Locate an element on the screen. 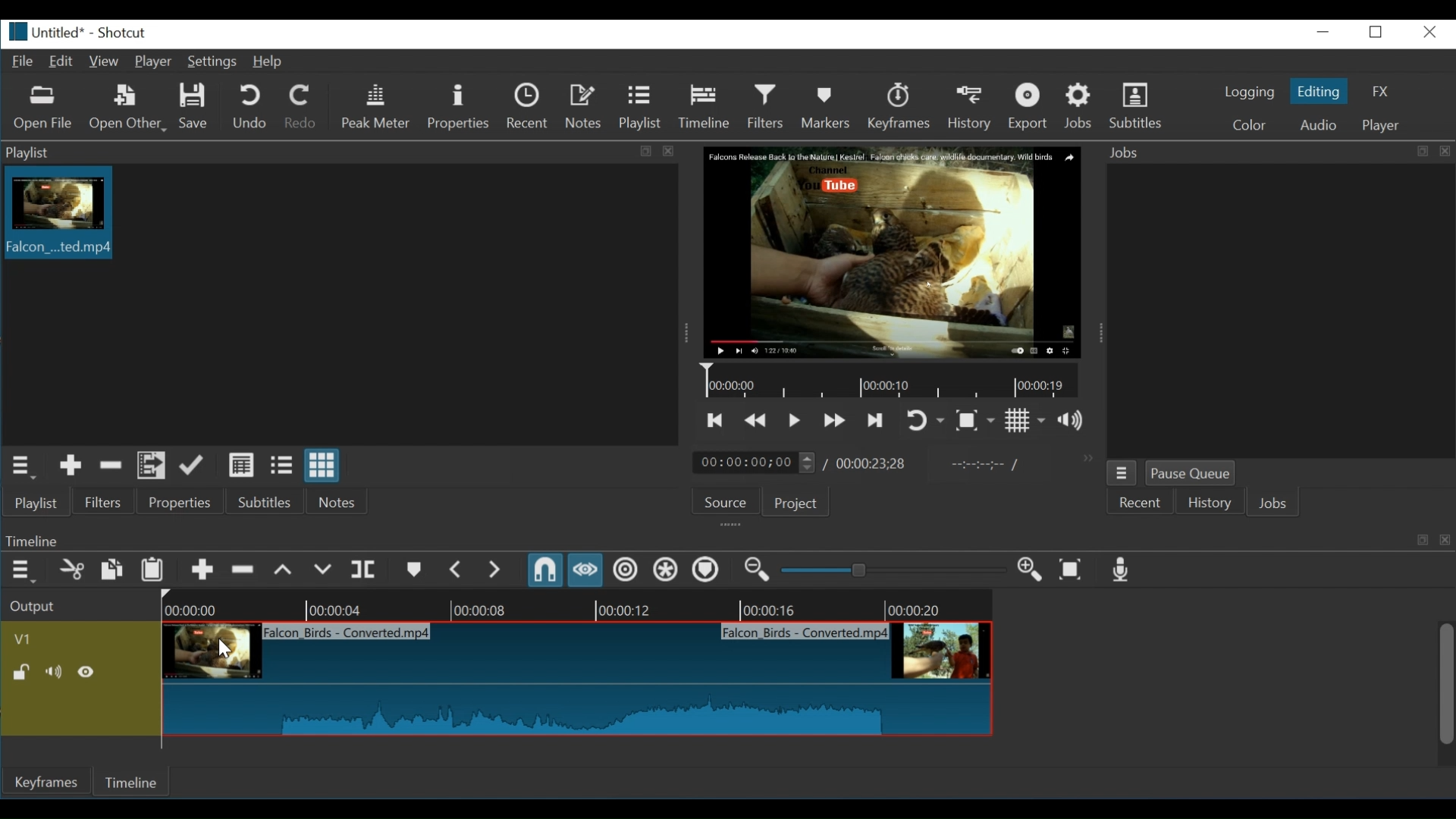 This screenshot has height=819, width=1456. Toggle play or pause is located at coordinates (794, 421).